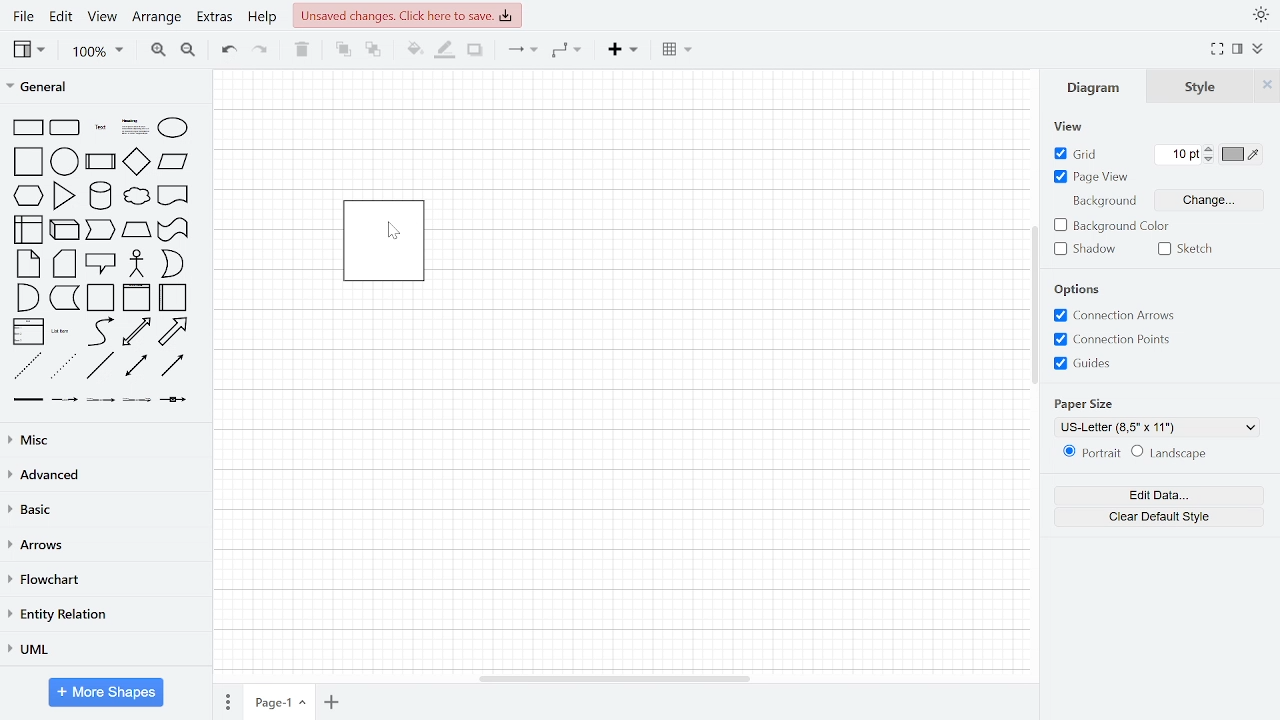 The image size is (1280, 720). I want to click on hexagon, so click(27, 195).